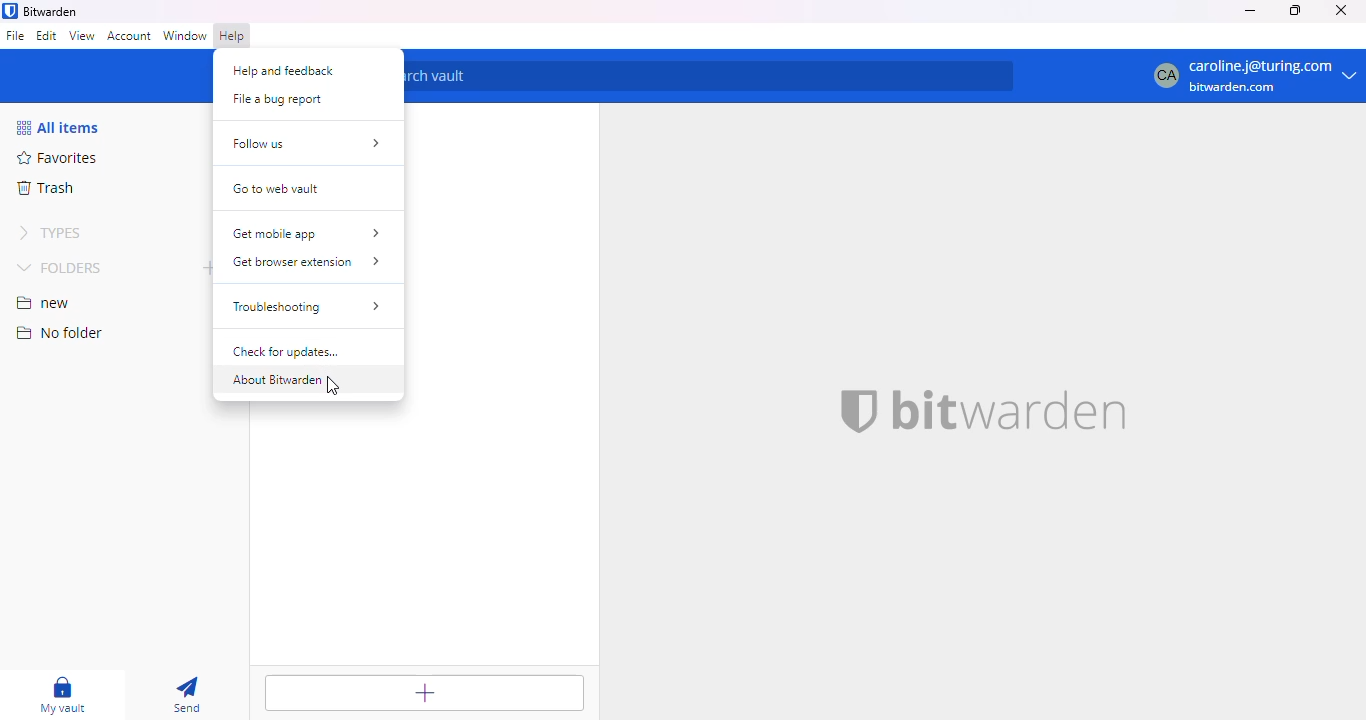 Image resolution: width=1366 pixels, height=720 pixels. I want to click on file, so click(16, 35).